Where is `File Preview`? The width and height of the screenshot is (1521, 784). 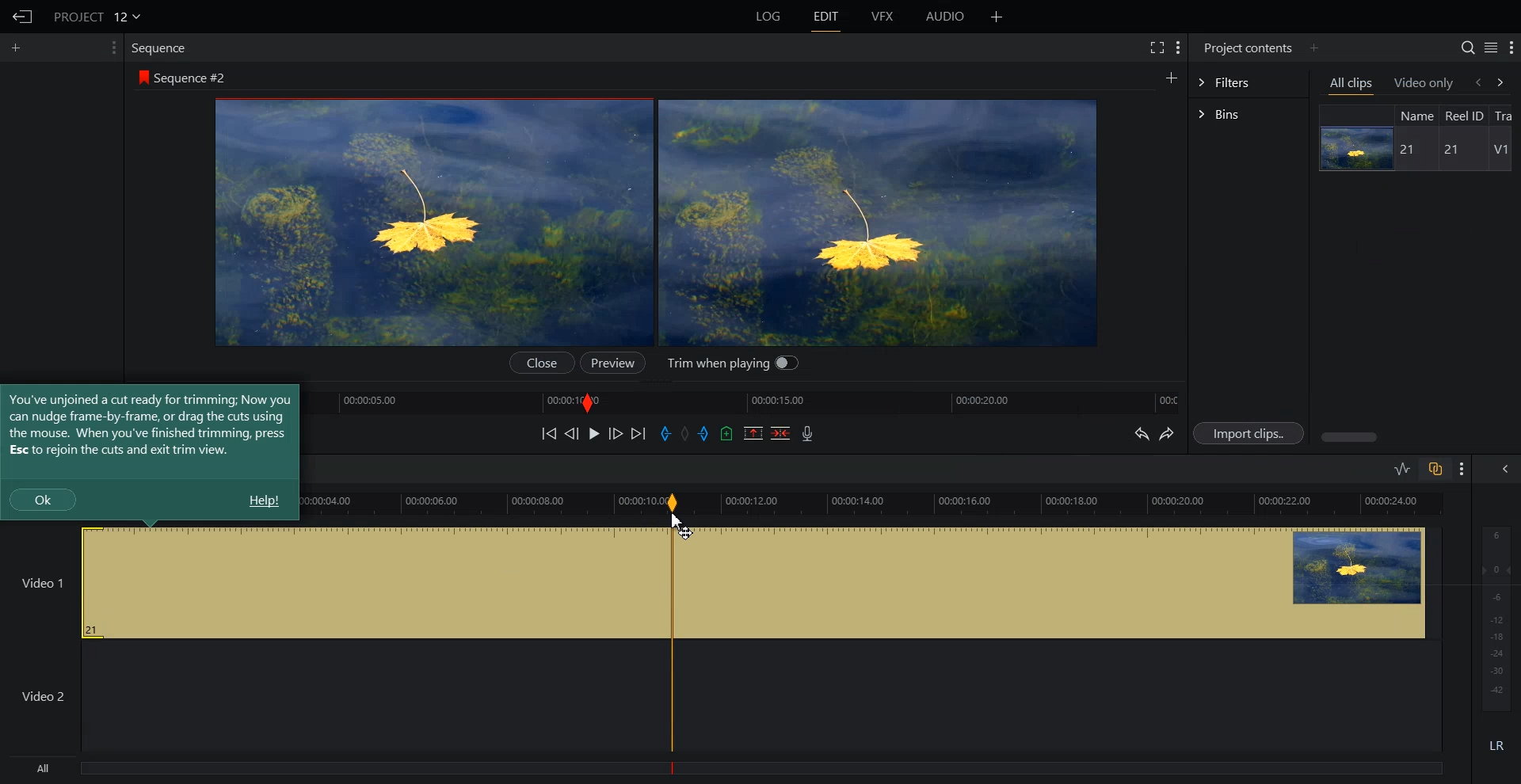 File Preview is located at coordinates (436, 223).